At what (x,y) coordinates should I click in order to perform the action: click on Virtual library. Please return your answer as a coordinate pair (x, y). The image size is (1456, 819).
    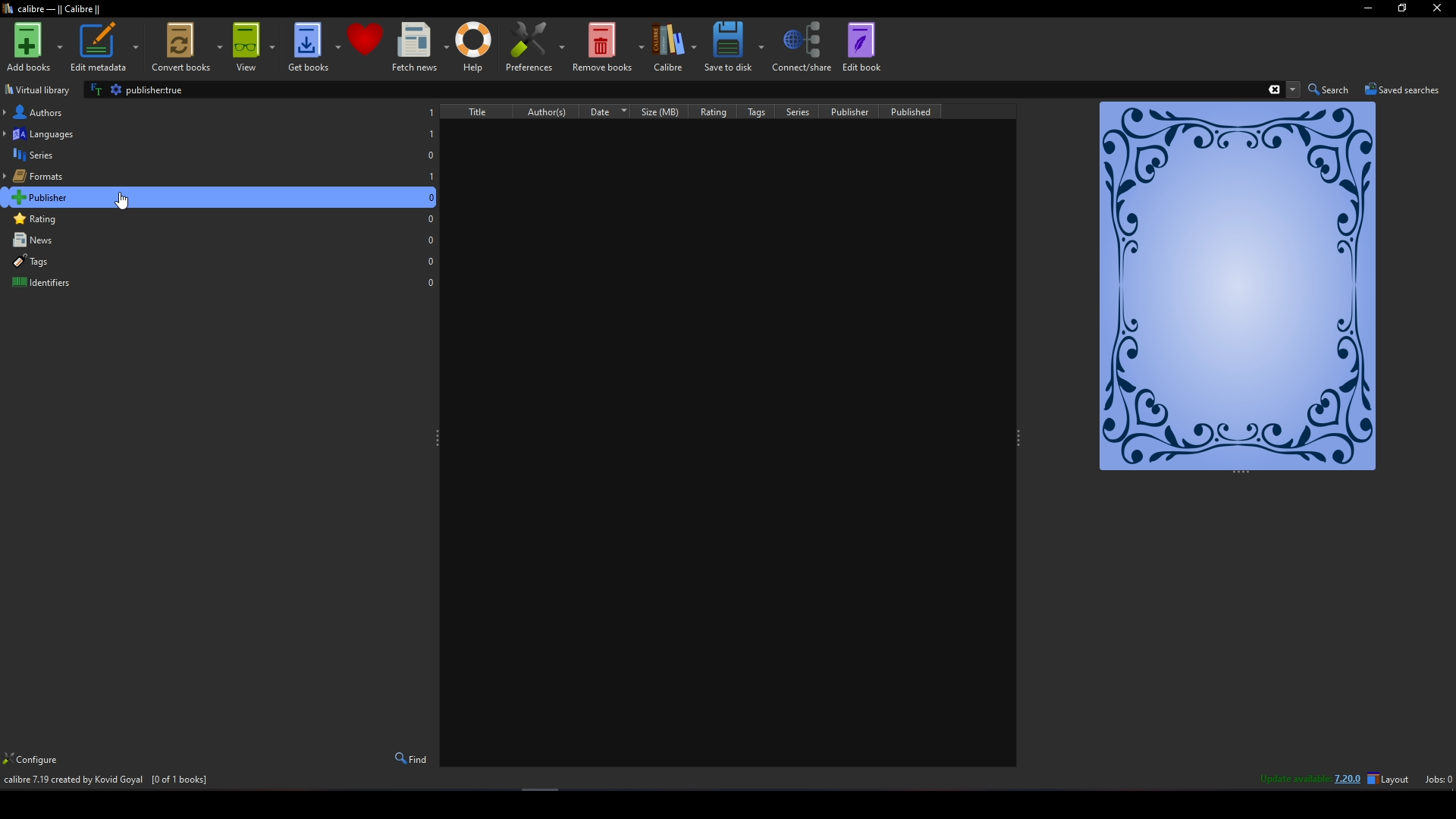
    Looking at the image, I should click on (39, 89).